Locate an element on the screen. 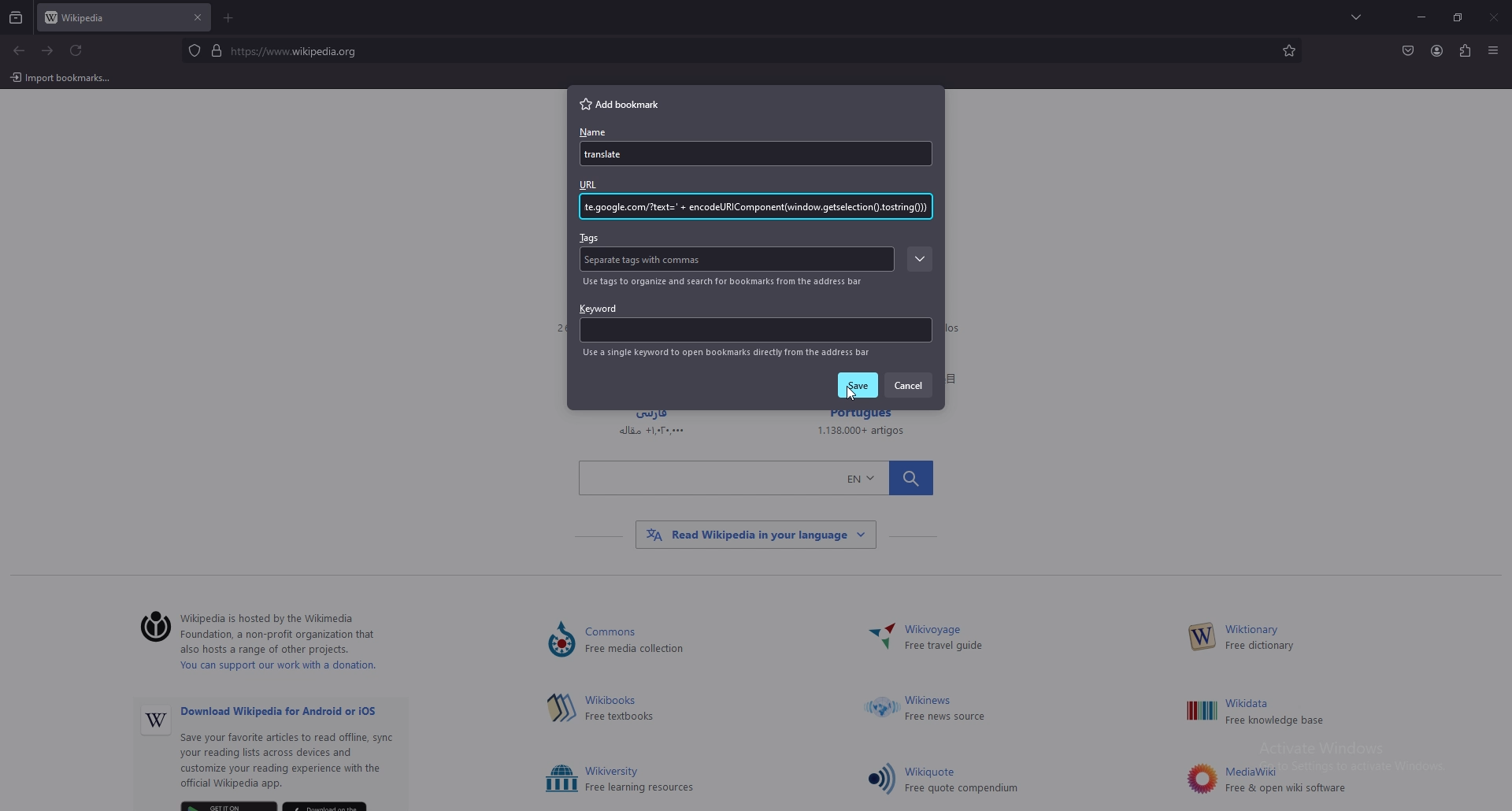 The image size is (1512, 811). tab is located at coordinates (107, 19).